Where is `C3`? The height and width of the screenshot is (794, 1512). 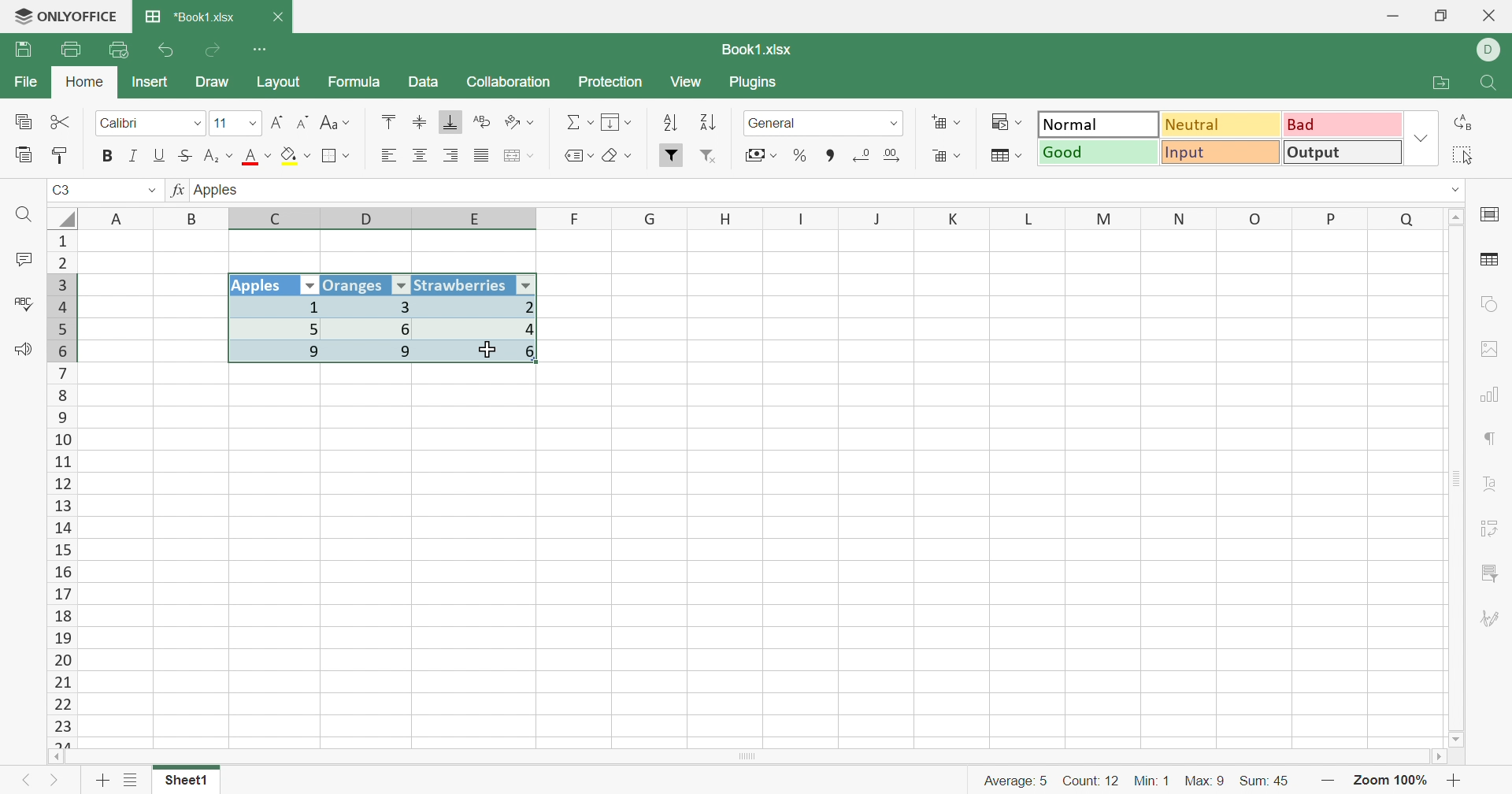 C3 is located at coordinates (63, 191).